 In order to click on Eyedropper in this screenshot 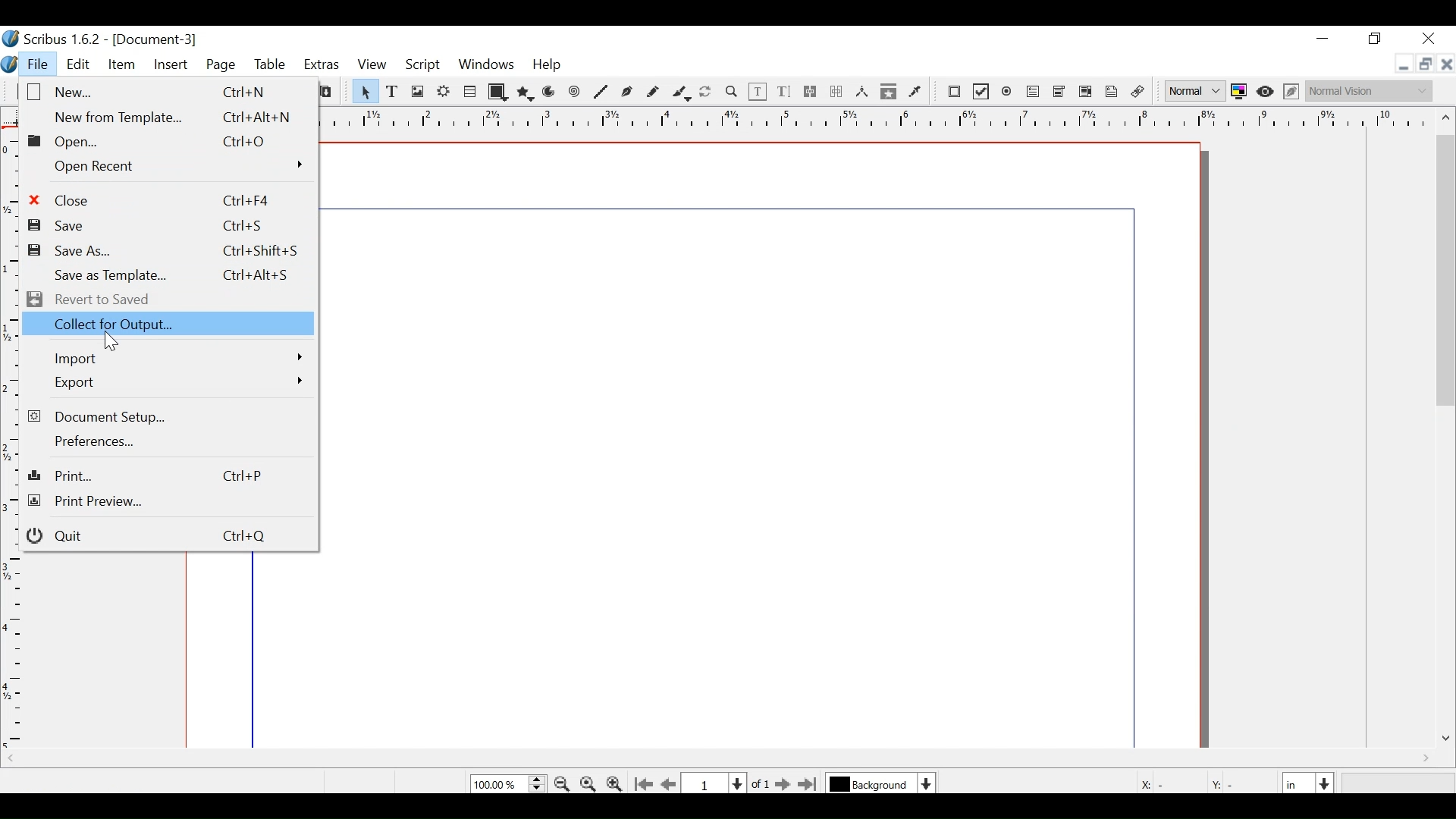, I will do `click(915, 92)`.